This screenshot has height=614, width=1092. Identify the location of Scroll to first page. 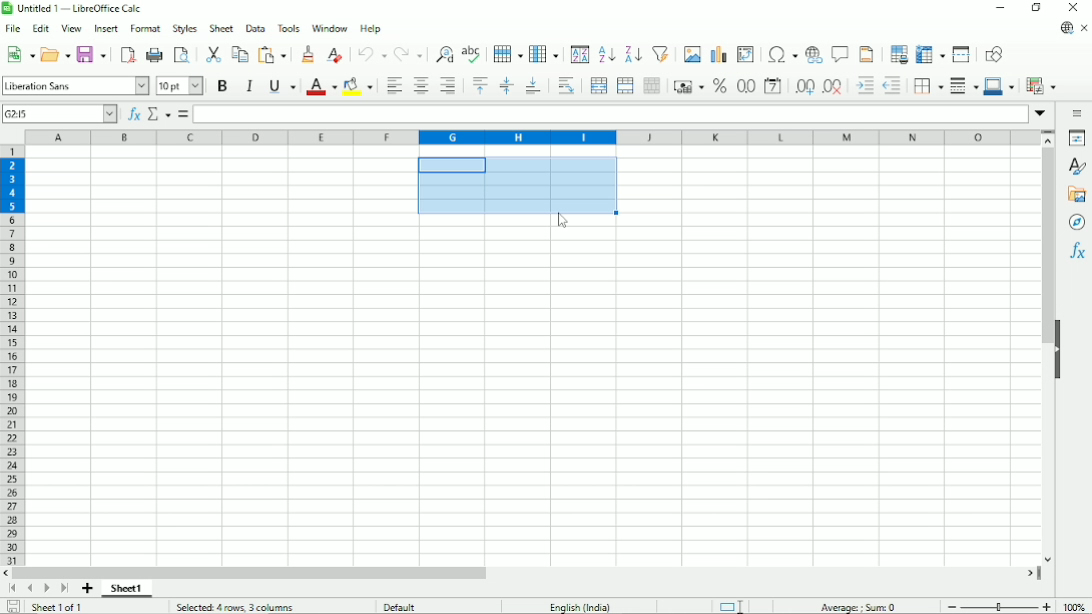
(12, 588).